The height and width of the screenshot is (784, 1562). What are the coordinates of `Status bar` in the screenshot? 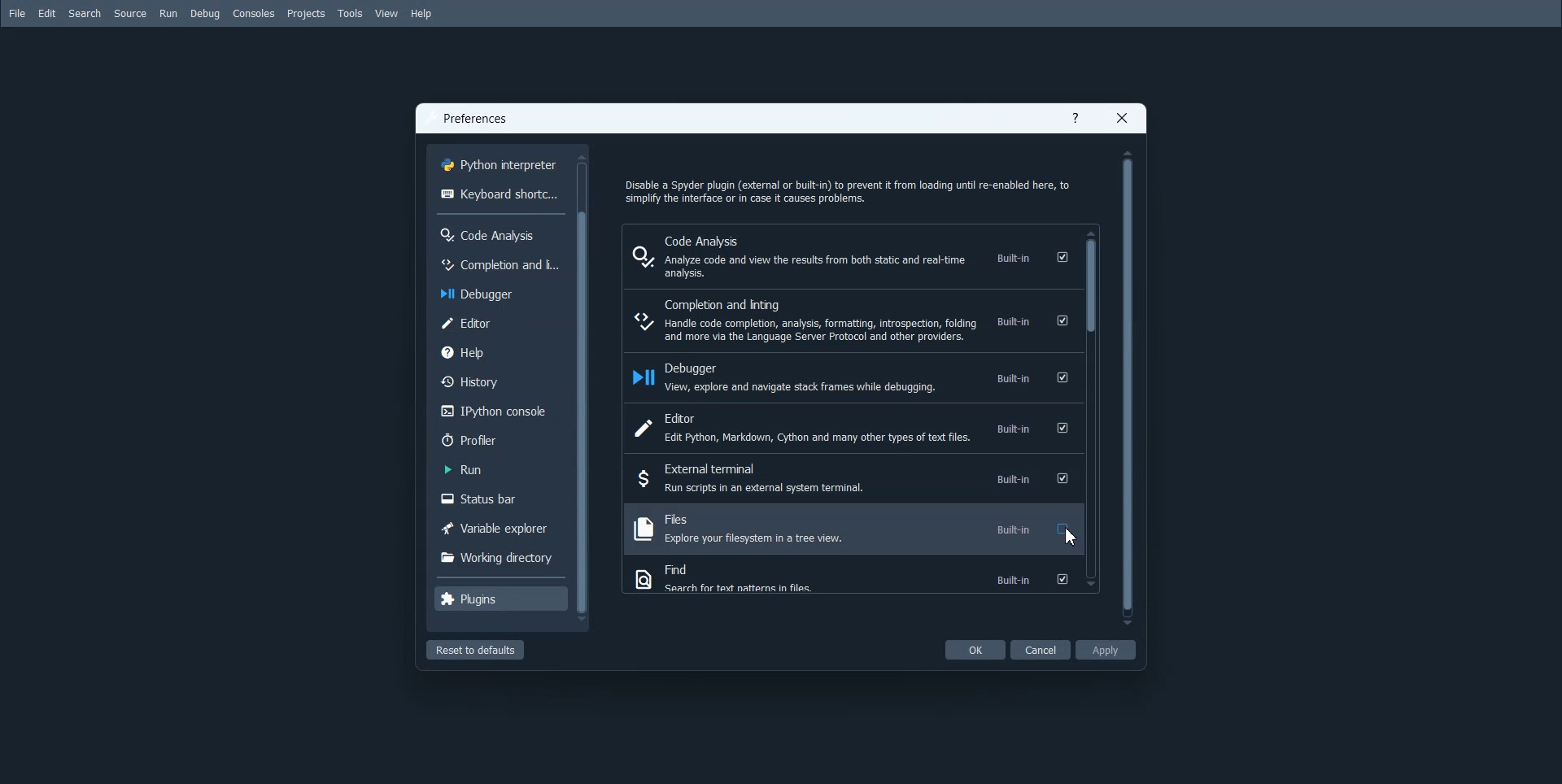 It's located at (497, 499).